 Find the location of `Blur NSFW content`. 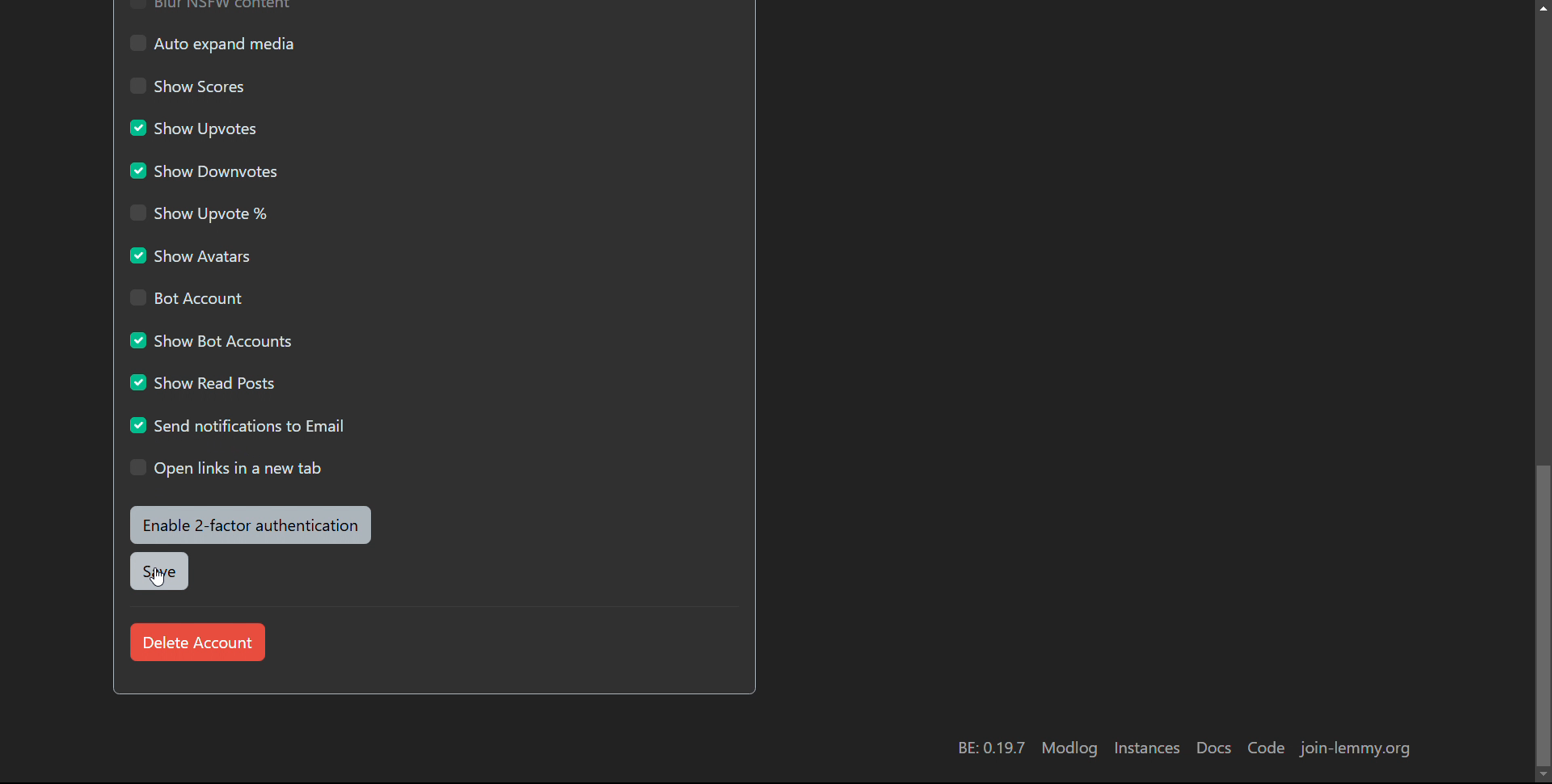

Blur NSFW content is located at coordinates (211, 6).